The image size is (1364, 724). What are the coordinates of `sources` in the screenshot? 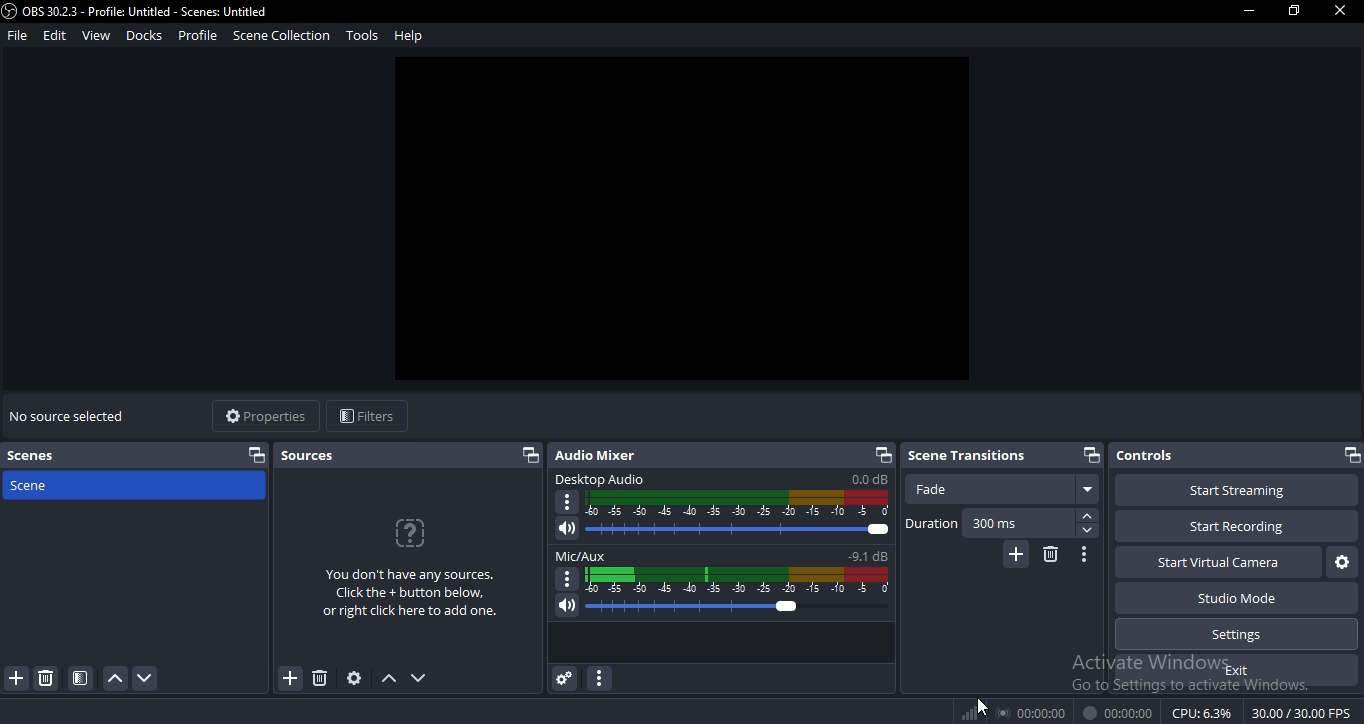 It's located at (313, 454).